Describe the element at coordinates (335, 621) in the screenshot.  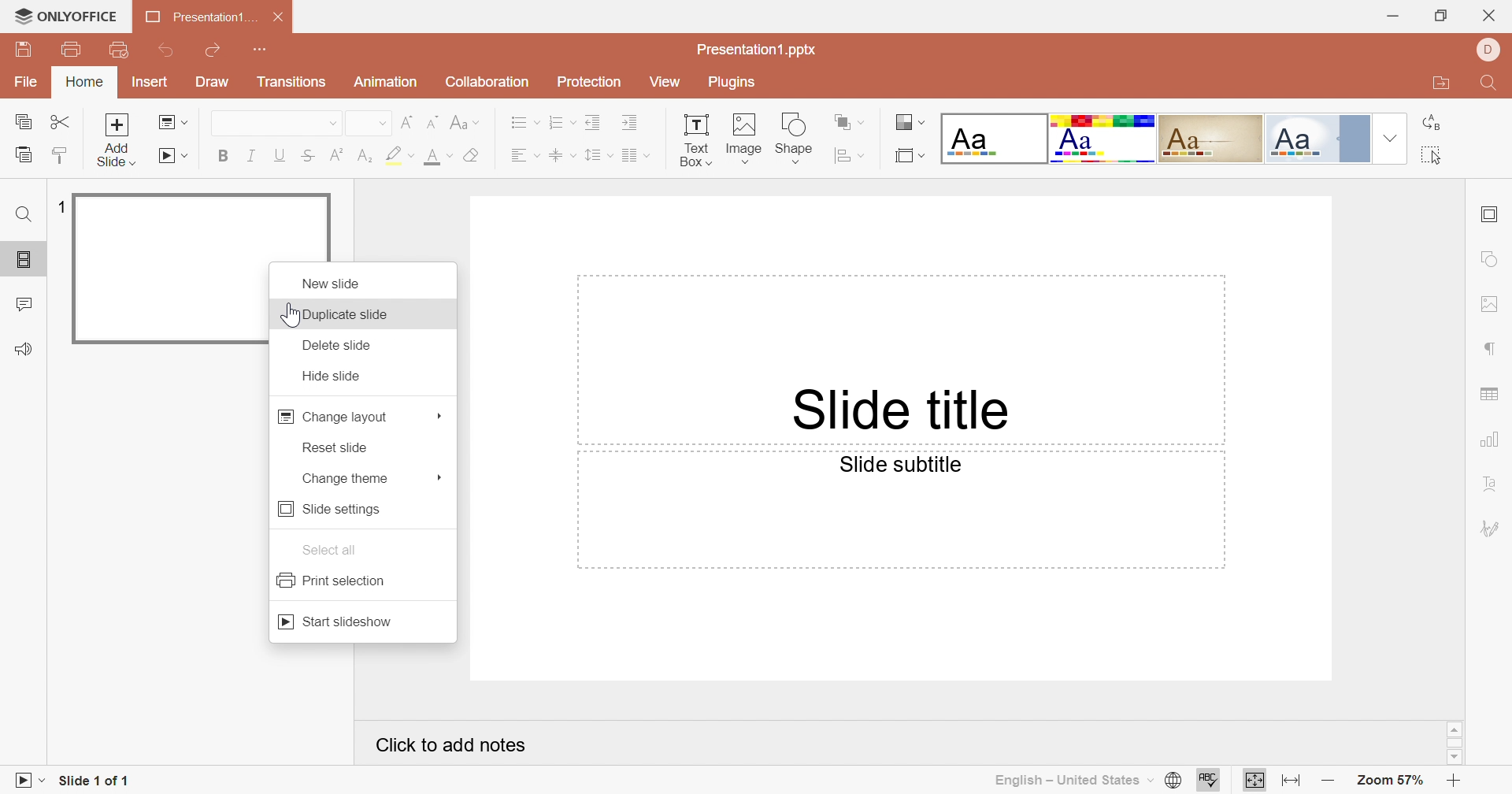
I see `Start Slideshow` at that location.